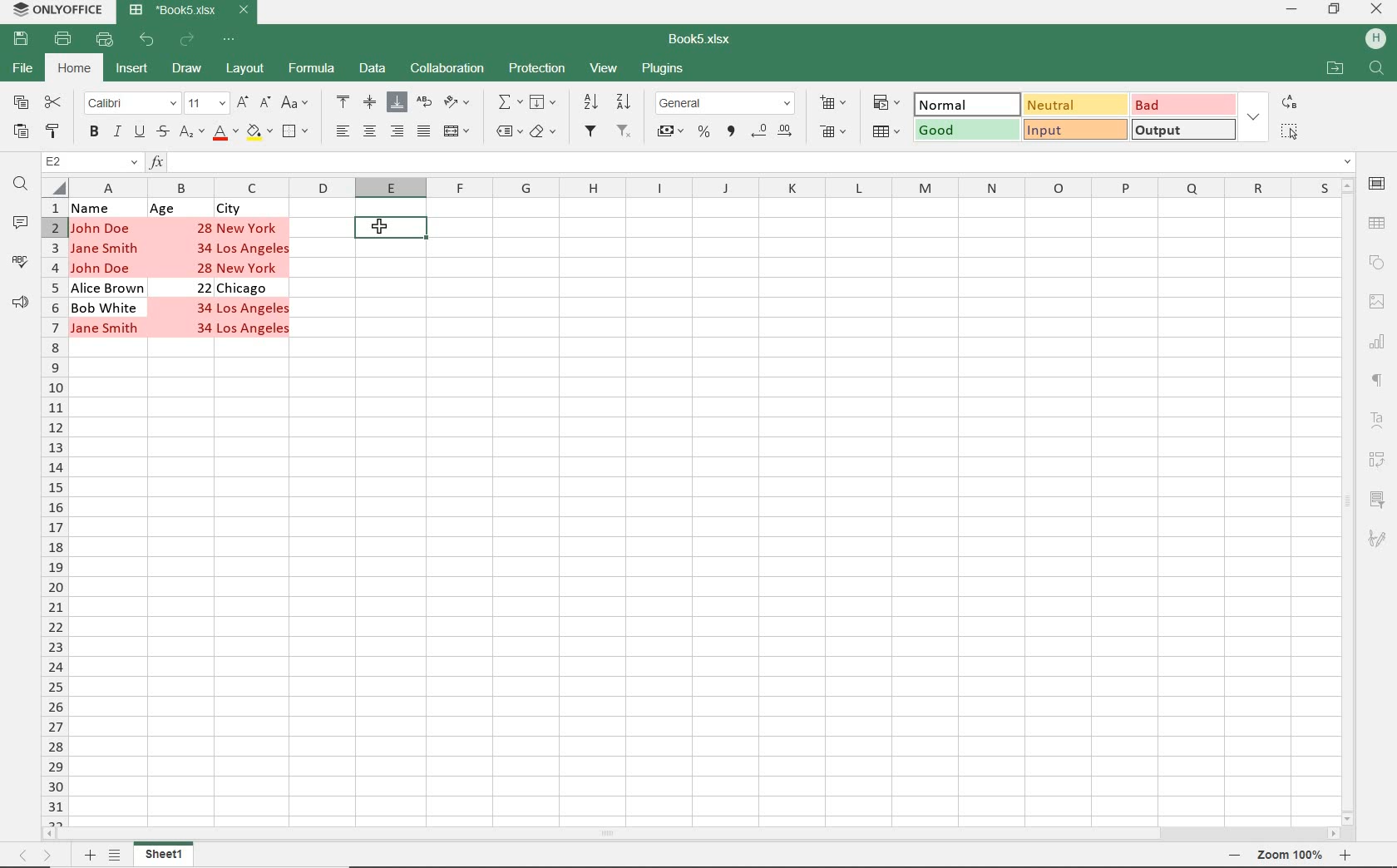 The width and height of the screenshot is (1397, 868). What do you see at coordinates (591, 101) in the screenshot?
I see `SORT ASCENDING` at bounding box center [591, 101].